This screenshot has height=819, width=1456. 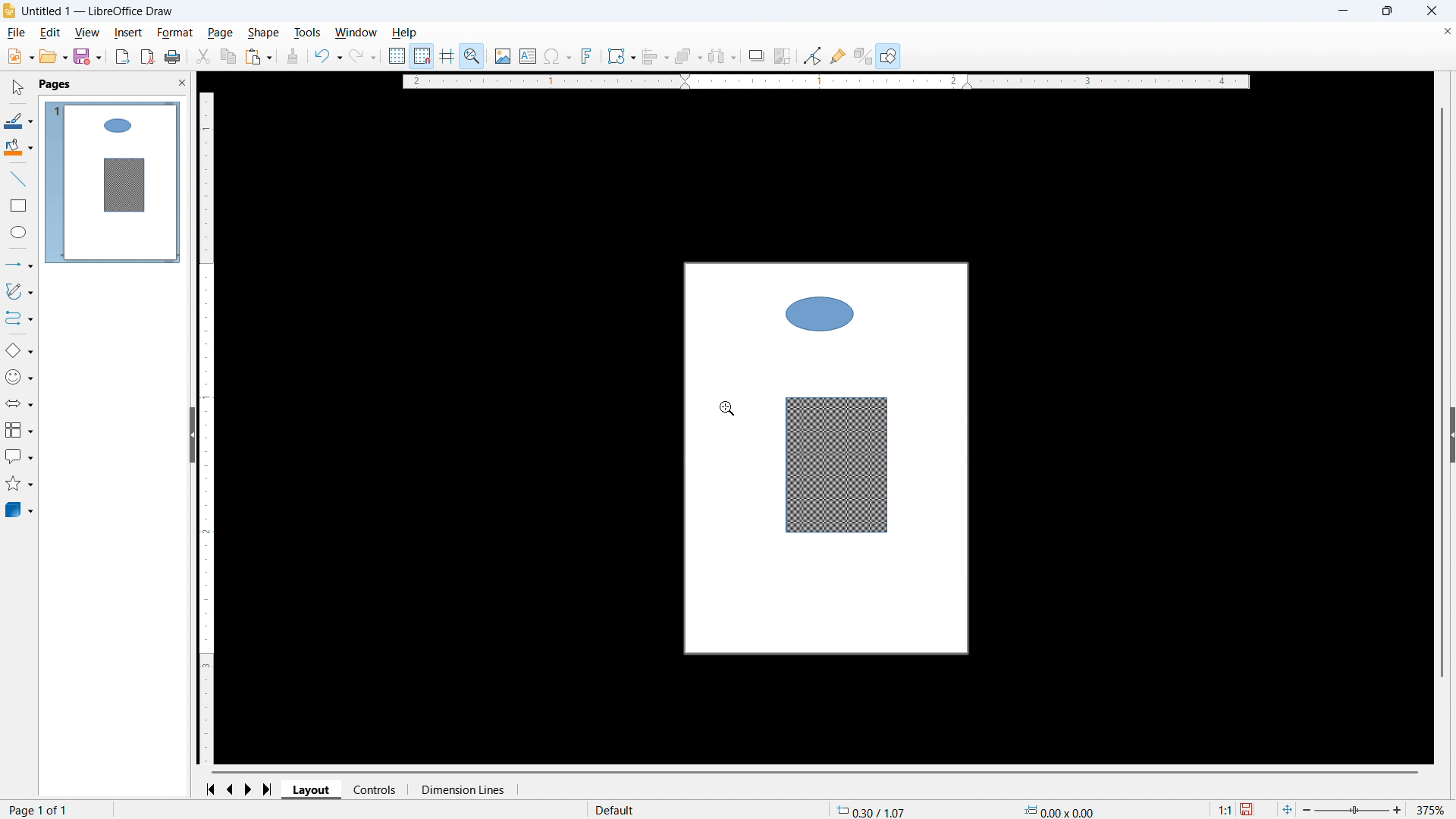 I want to click on Window , so click(x=356, y=33).